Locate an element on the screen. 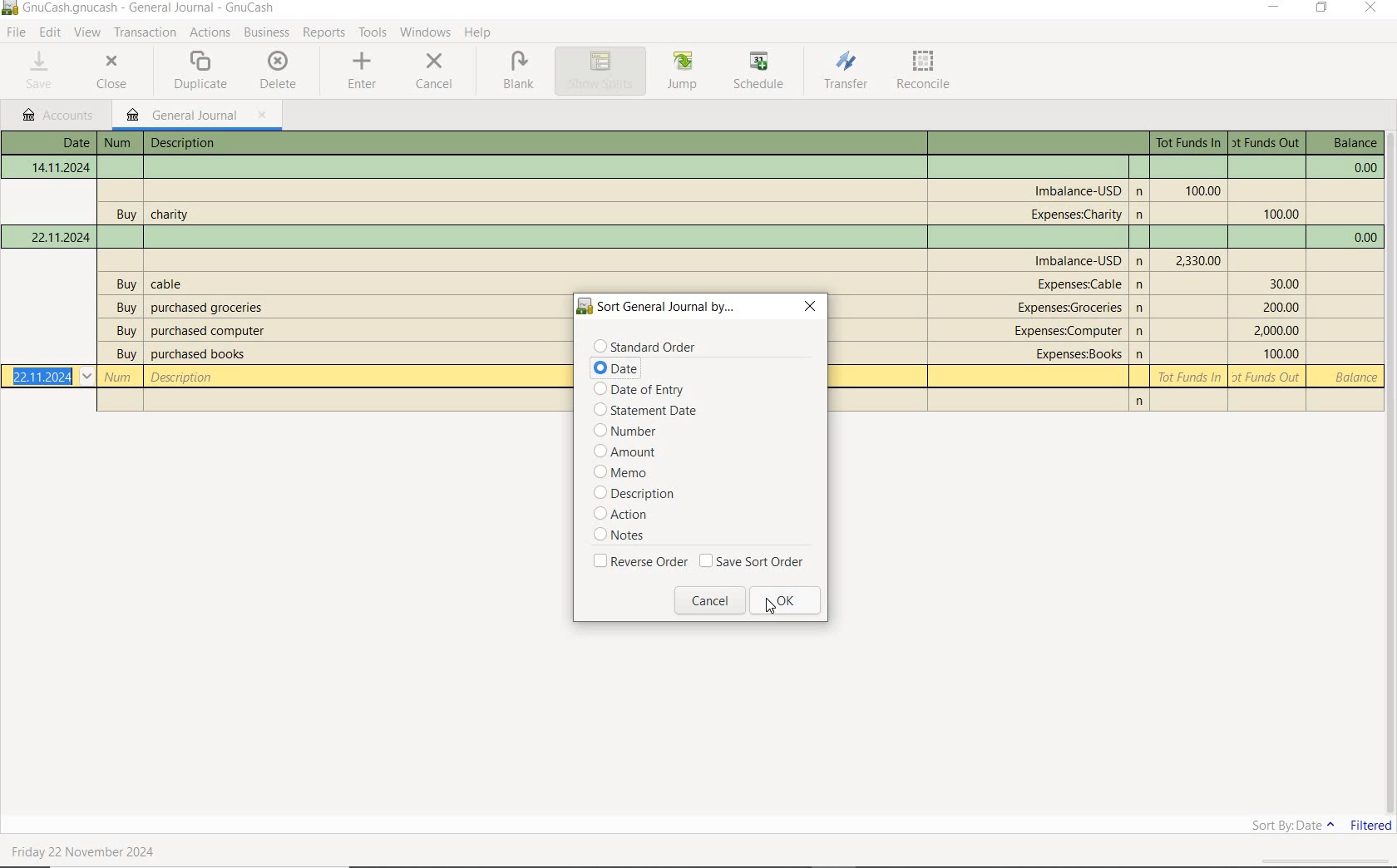  Tot Funds In is located at coordinates (1191, 377).